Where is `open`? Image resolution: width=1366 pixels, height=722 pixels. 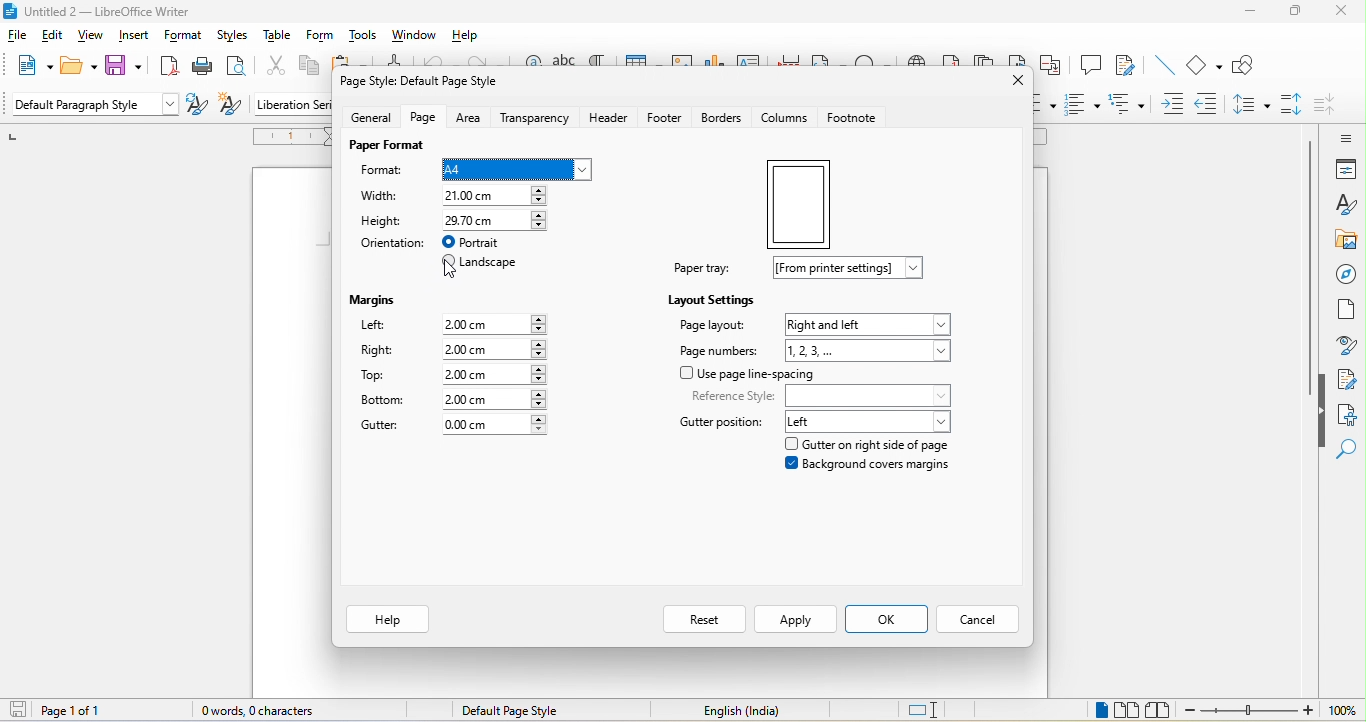
open is located at coordinates (76, 67).